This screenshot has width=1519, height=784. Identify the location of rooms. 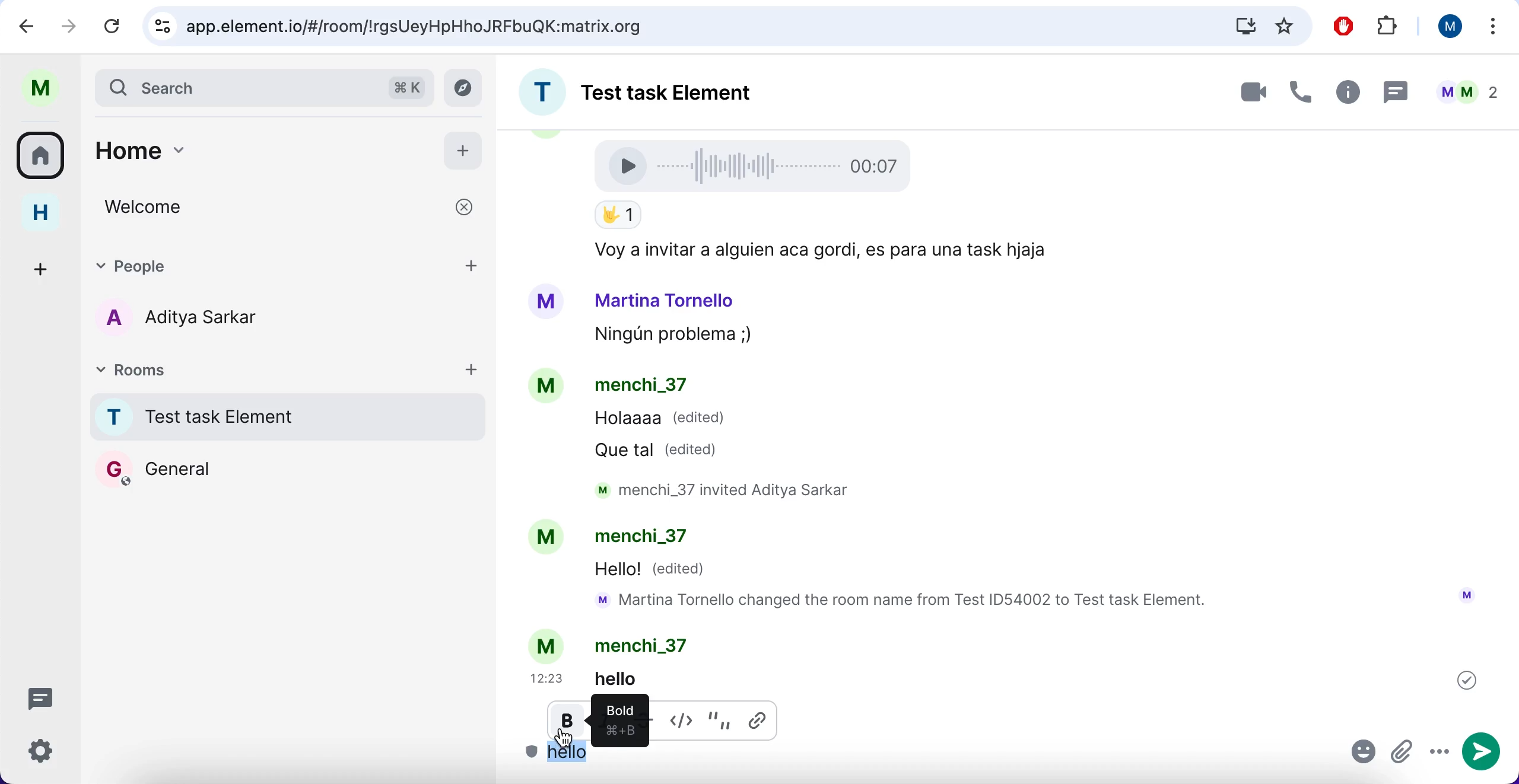
(45, 154).